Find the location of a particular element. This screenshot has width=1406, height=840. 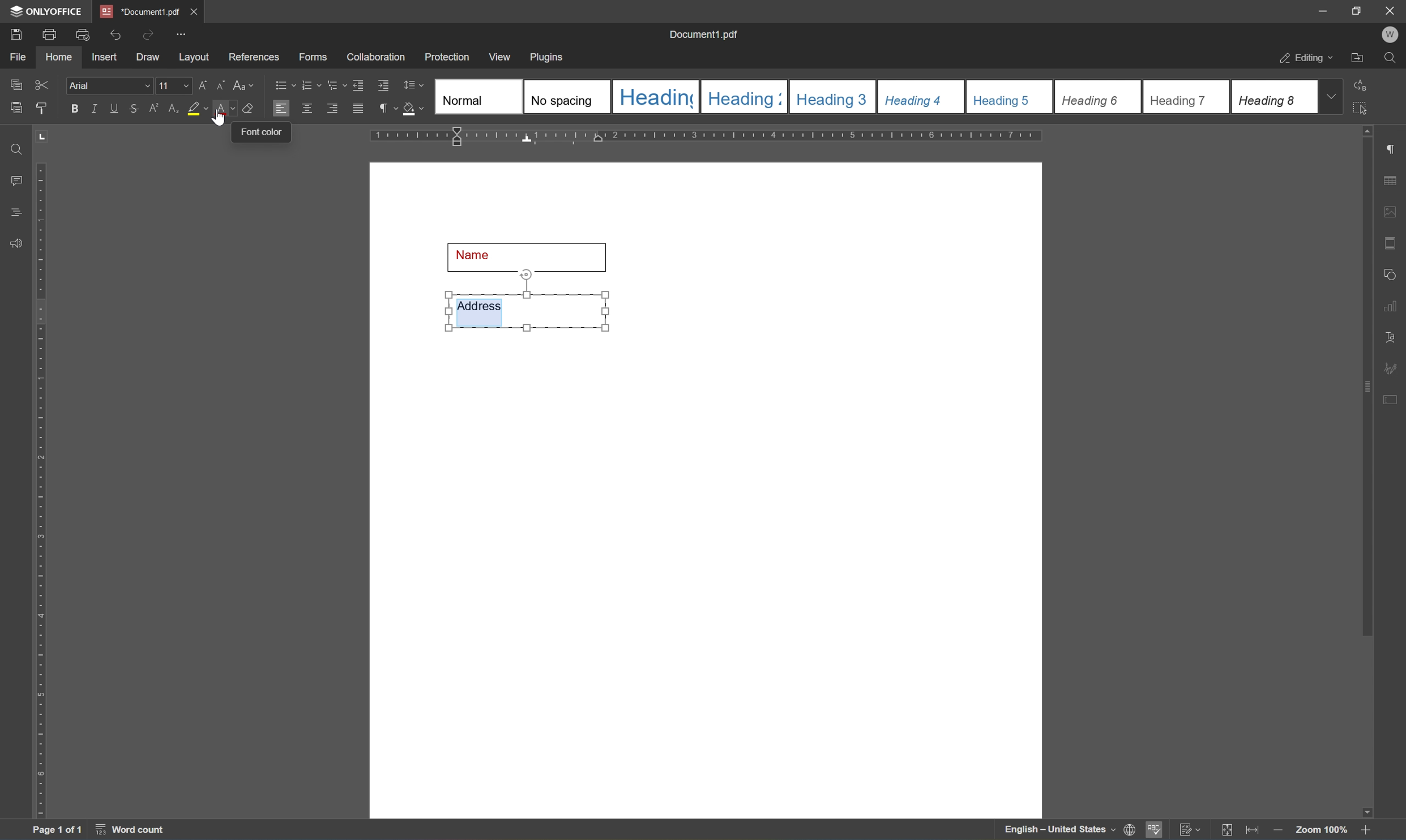

bullets is located at coordinates (282, 84).